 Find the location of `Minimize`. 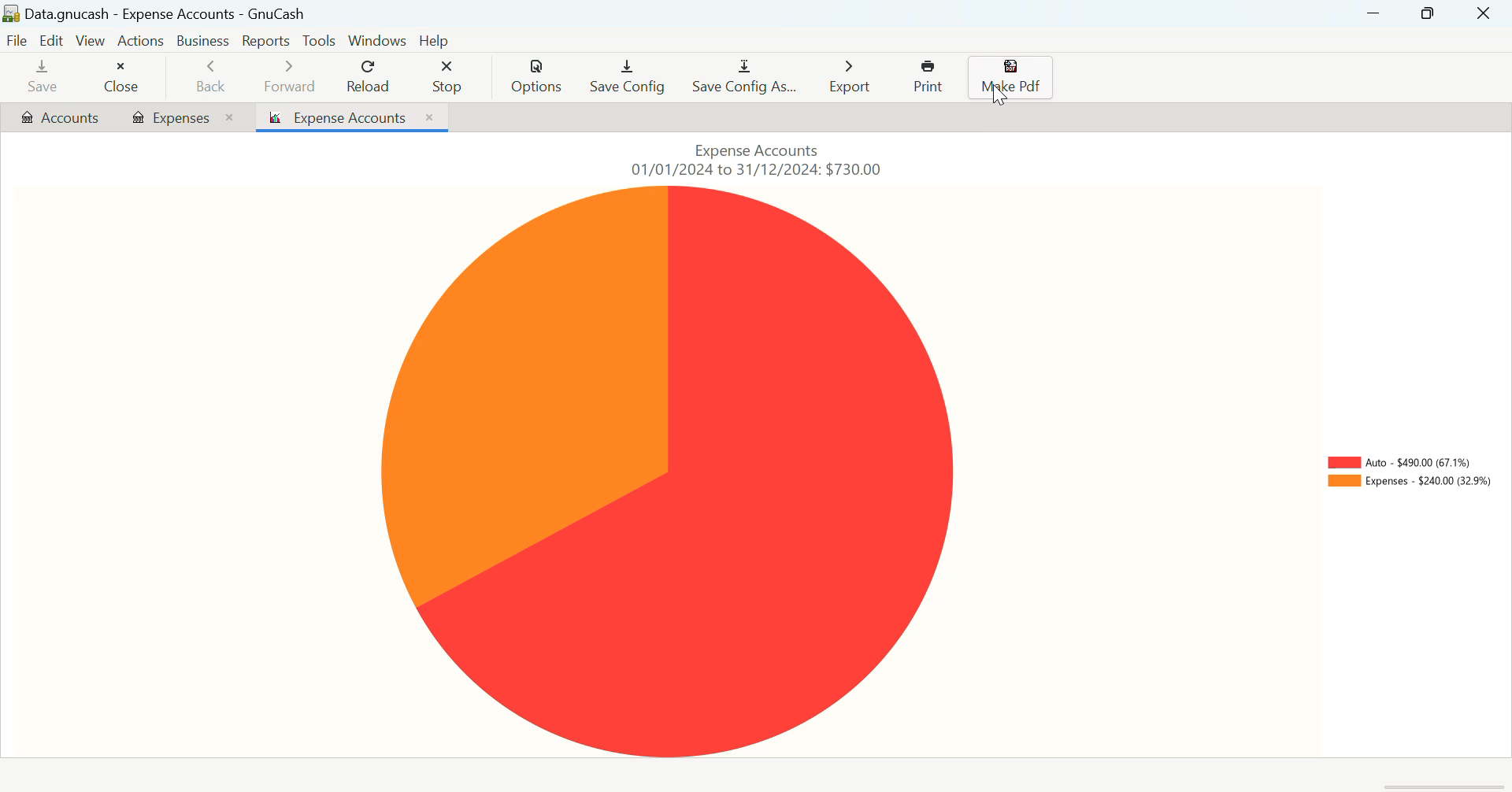

Minimize is located at coordinates (1427, 13).